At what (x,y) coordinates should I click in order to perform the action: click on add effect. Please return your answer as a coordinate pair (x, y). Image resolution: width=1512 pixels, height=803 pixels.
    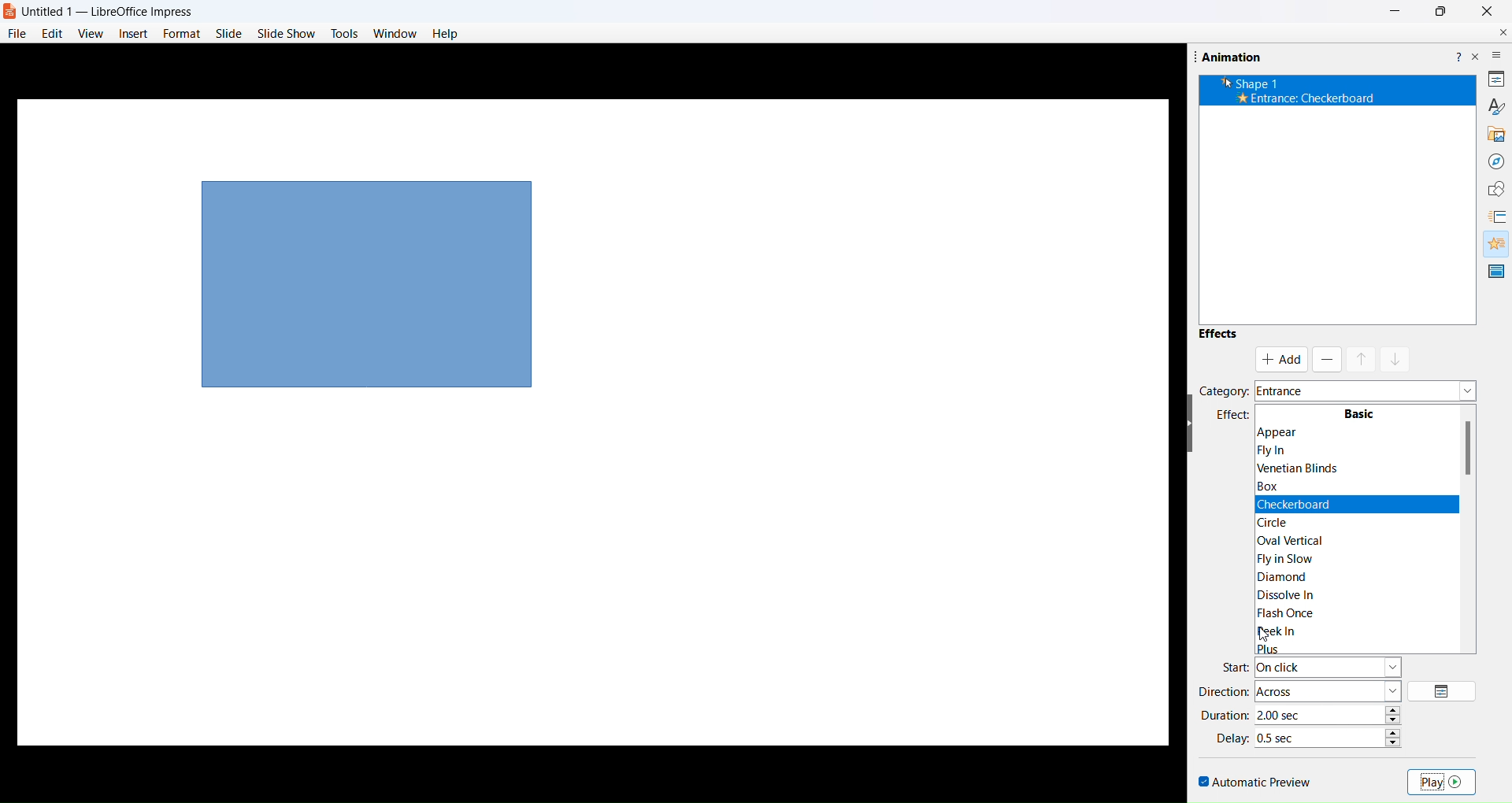
    Looking at the image, I should click on (1366, 390).